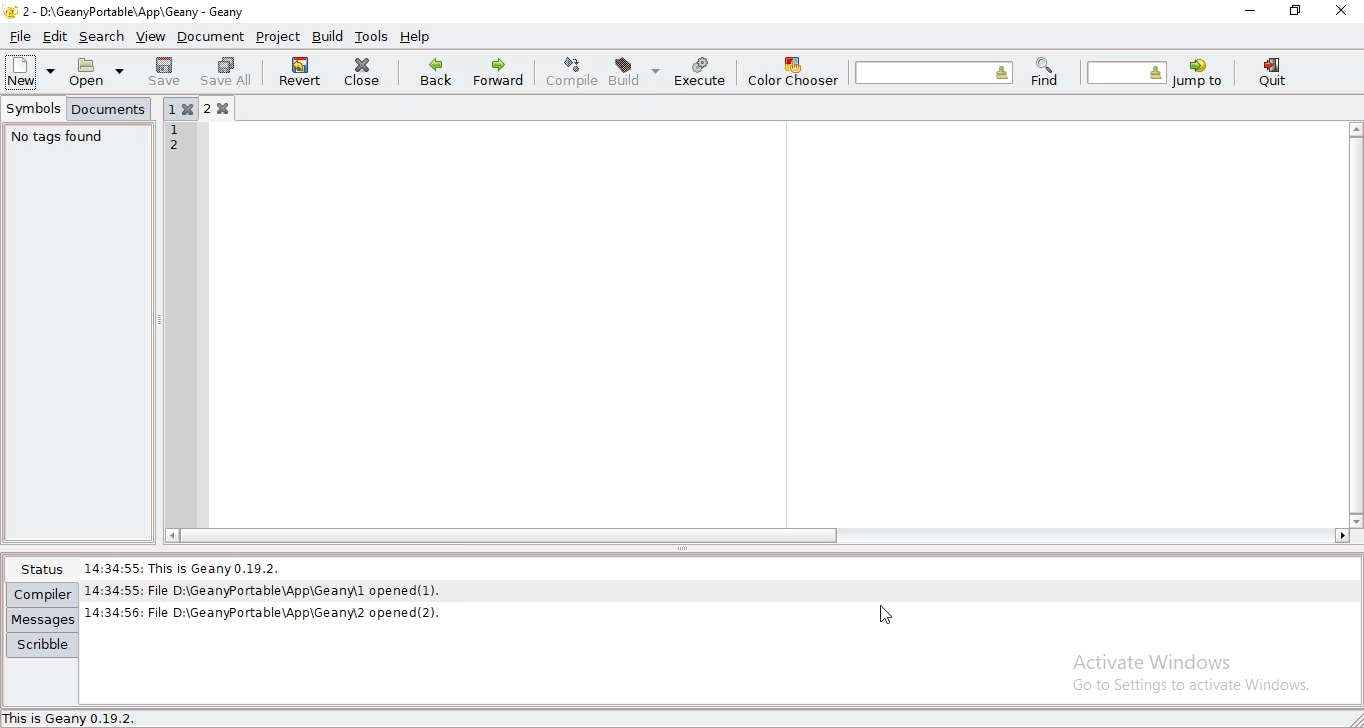 The height and width of the screenshot is (728, 1364). I want to click on project, so click(278, 37).